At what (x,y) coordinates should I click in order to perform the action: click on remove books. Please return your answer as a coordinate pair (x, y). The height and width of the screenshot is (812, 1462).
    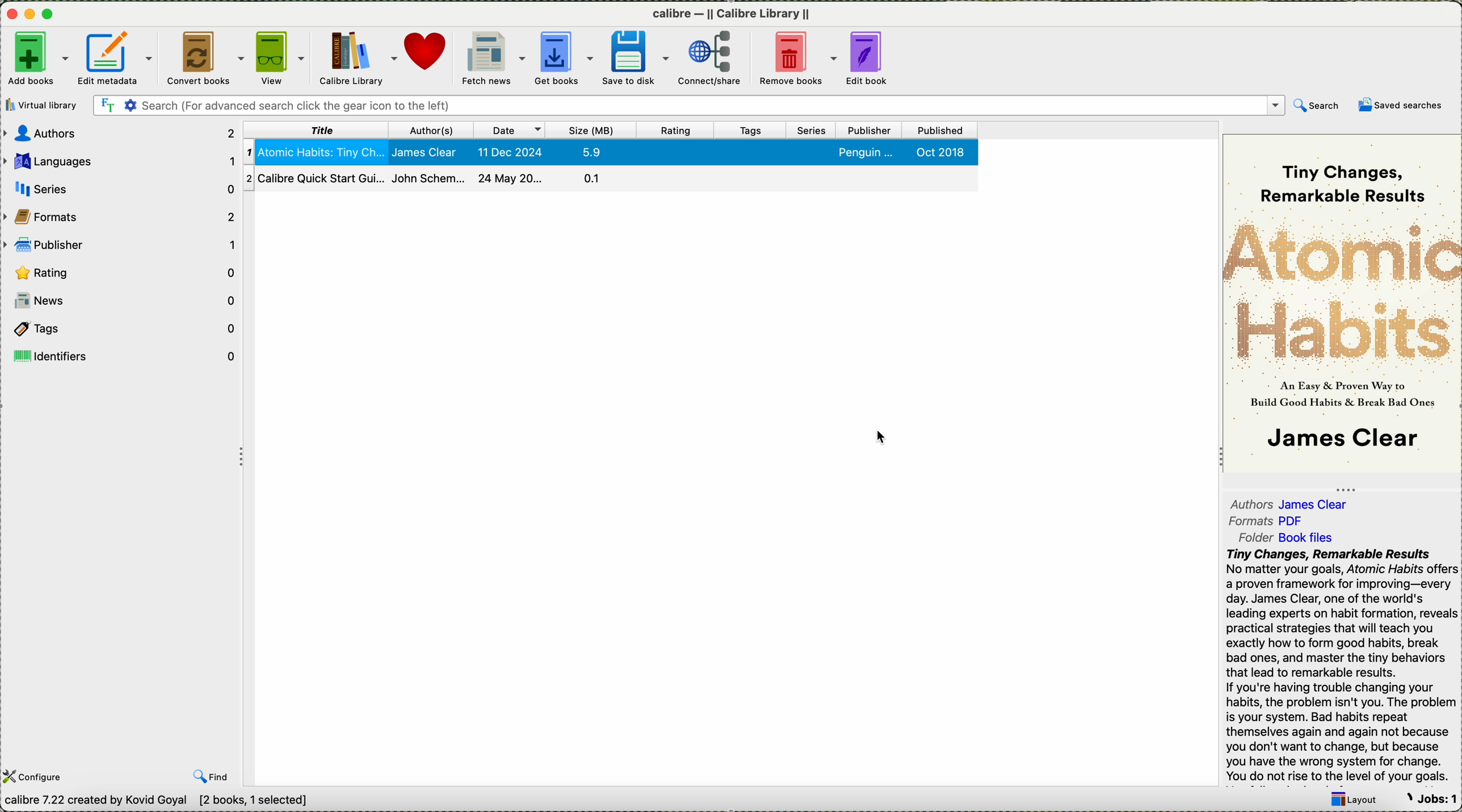
    Looking at the image, I should click on (797, 59).